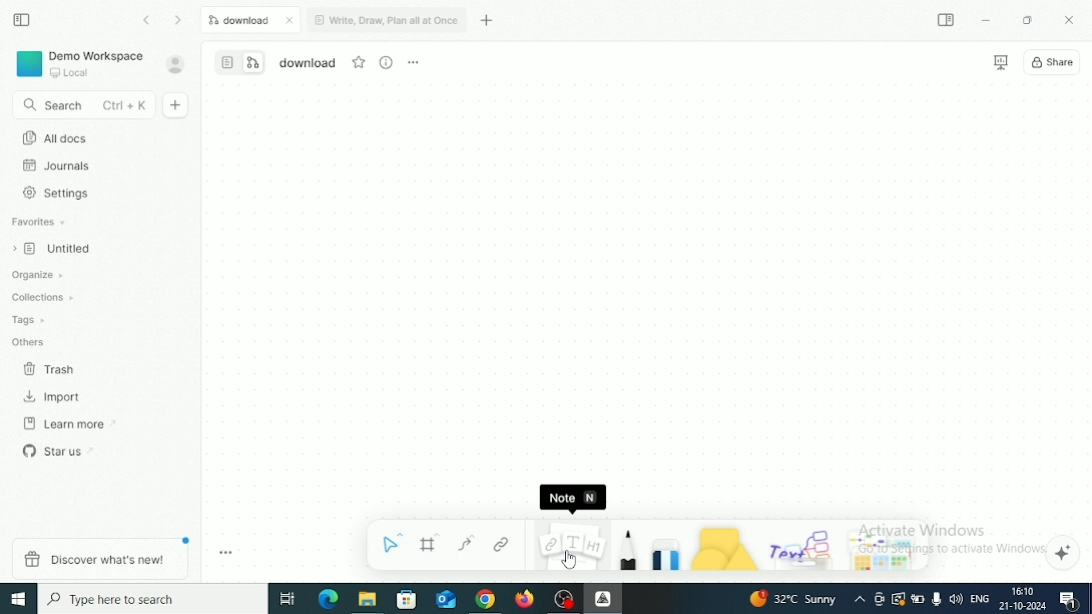  I want to click on Curve, so click(470, 543).